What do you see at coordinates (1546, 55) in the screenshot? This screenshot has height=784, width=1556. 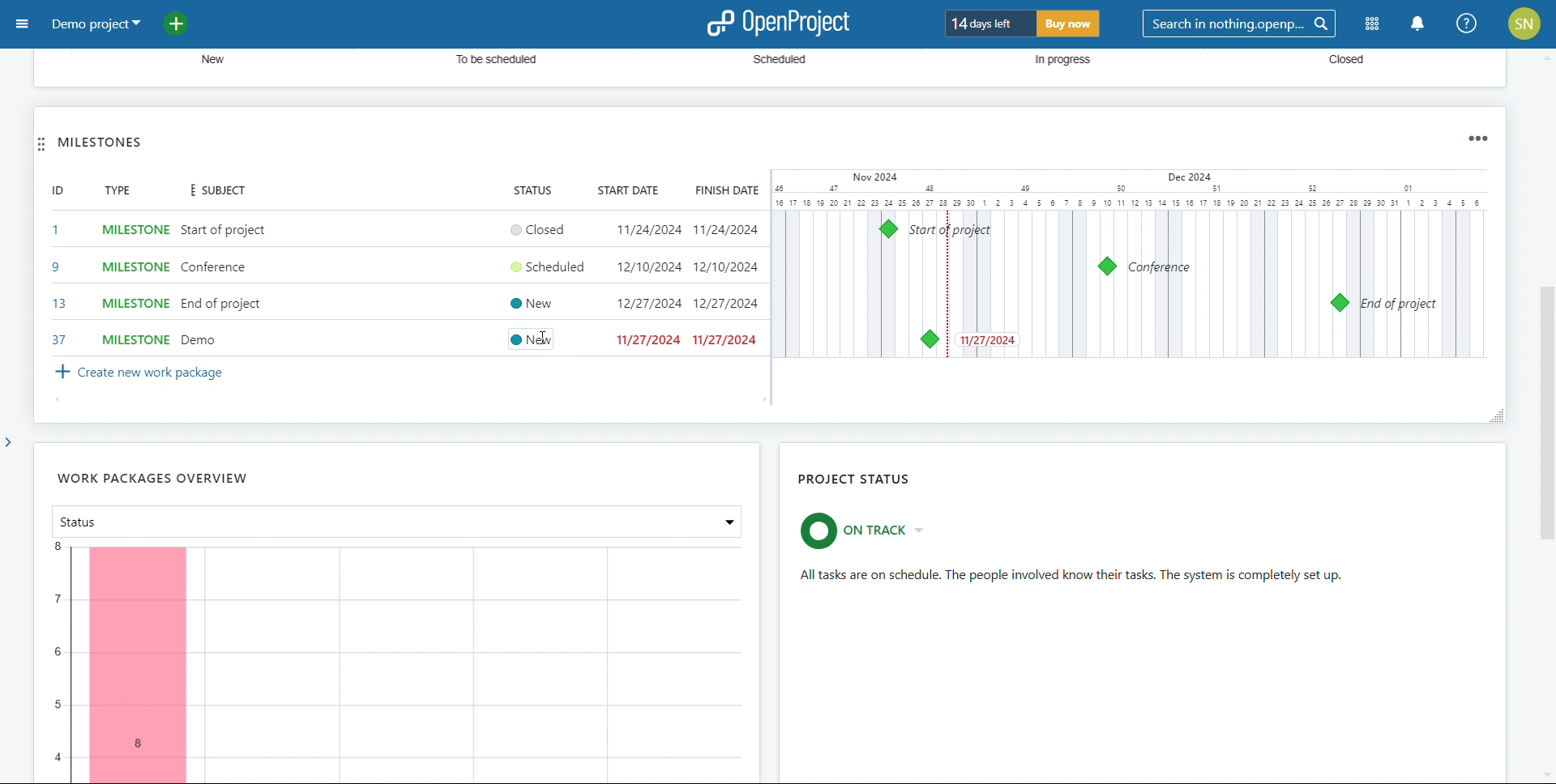 I see `scroll up` at bounding box center [1546, 55].